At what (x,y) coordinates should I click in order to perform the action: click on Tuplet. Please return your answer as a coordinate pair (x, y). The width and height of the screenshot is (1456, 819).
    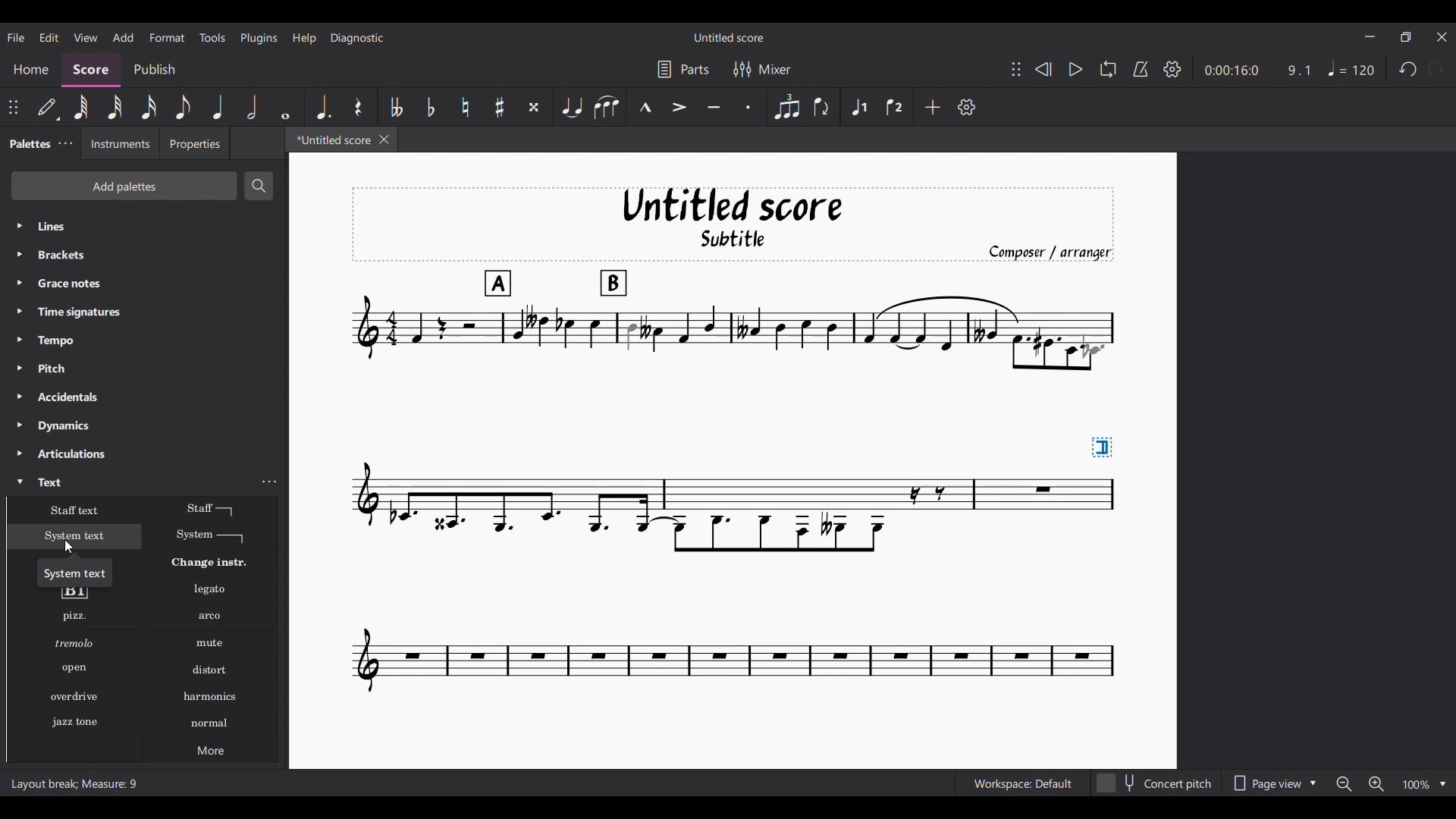
    Looking at the image, I should click on (788, 107).